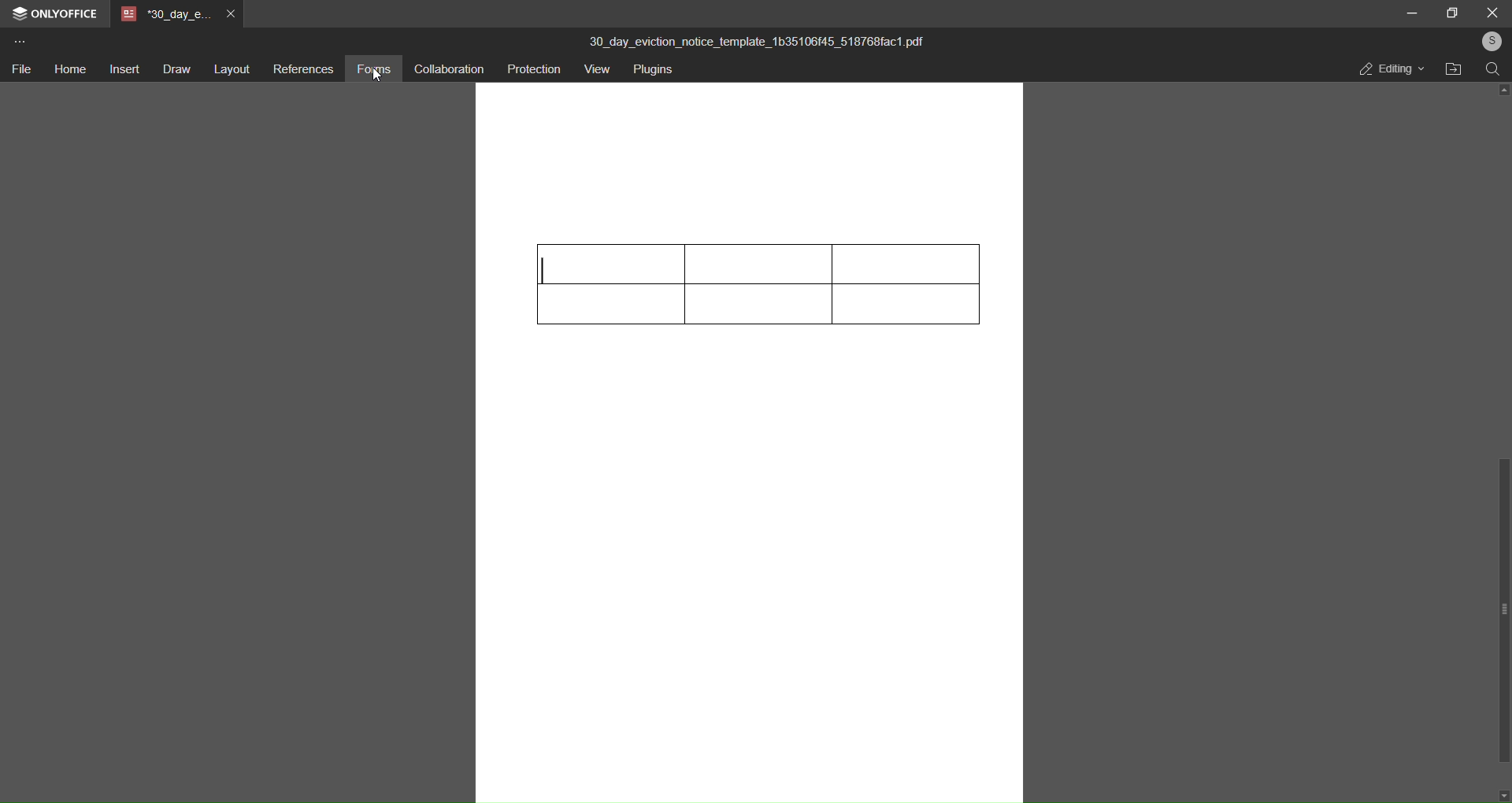 Image resolution: width=1512 pixels, height=803 pixels. I want to click on down, so click(1503, 794).